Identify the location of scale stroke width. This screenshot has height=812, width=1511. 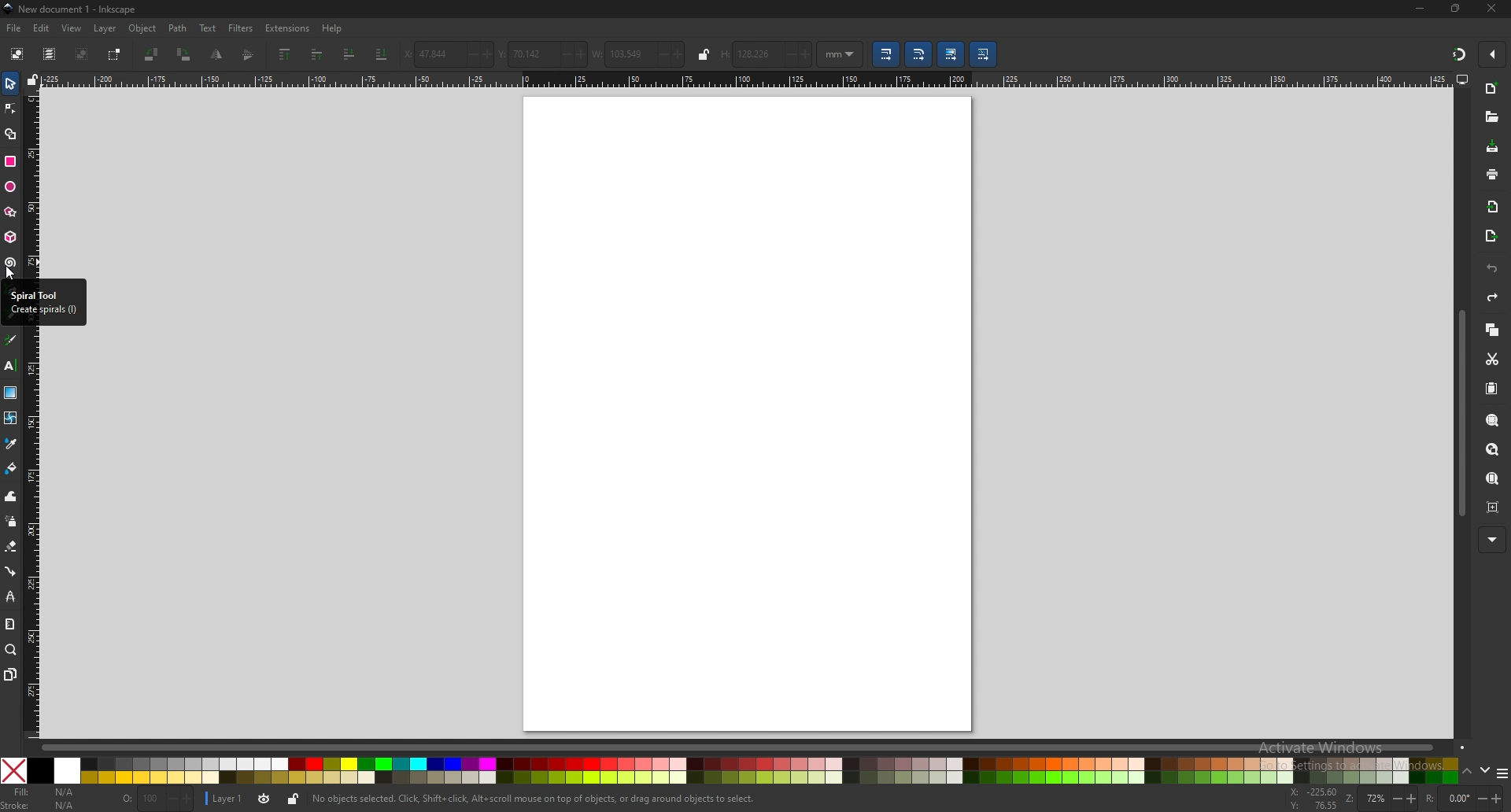
(886, 54).